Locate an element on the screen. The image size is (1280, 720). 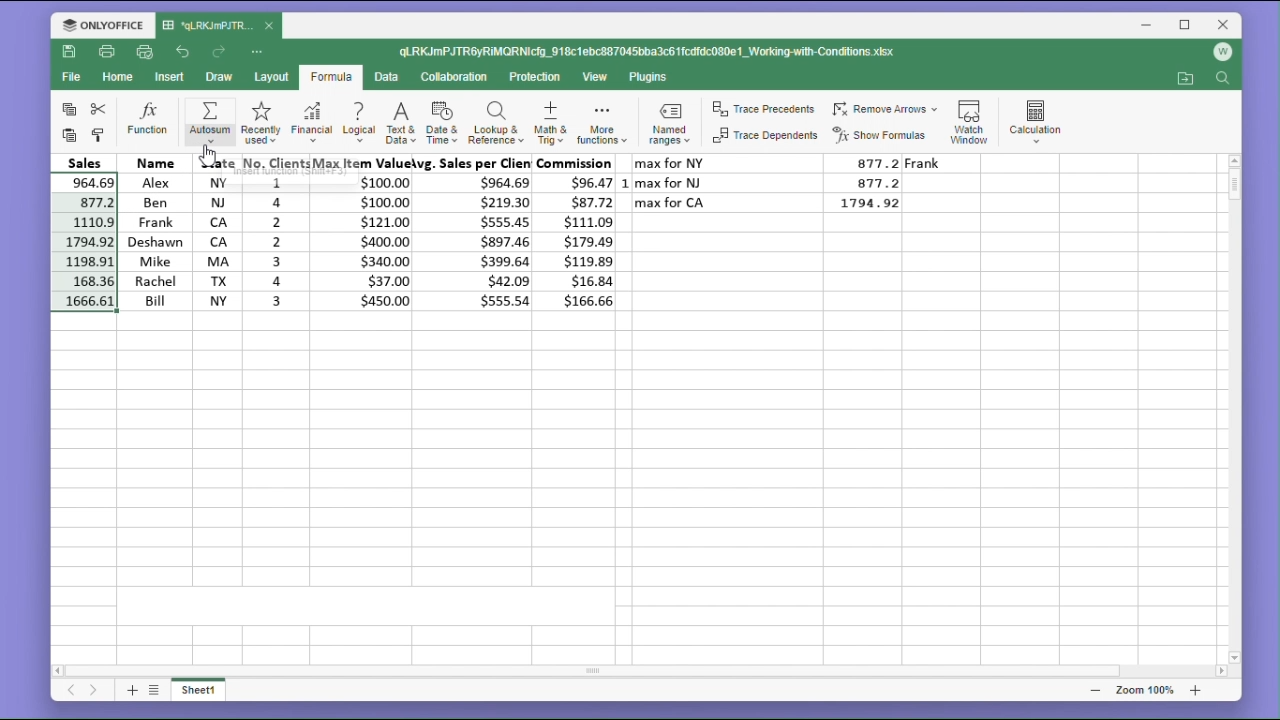
save is located at coordinates (70, 55).